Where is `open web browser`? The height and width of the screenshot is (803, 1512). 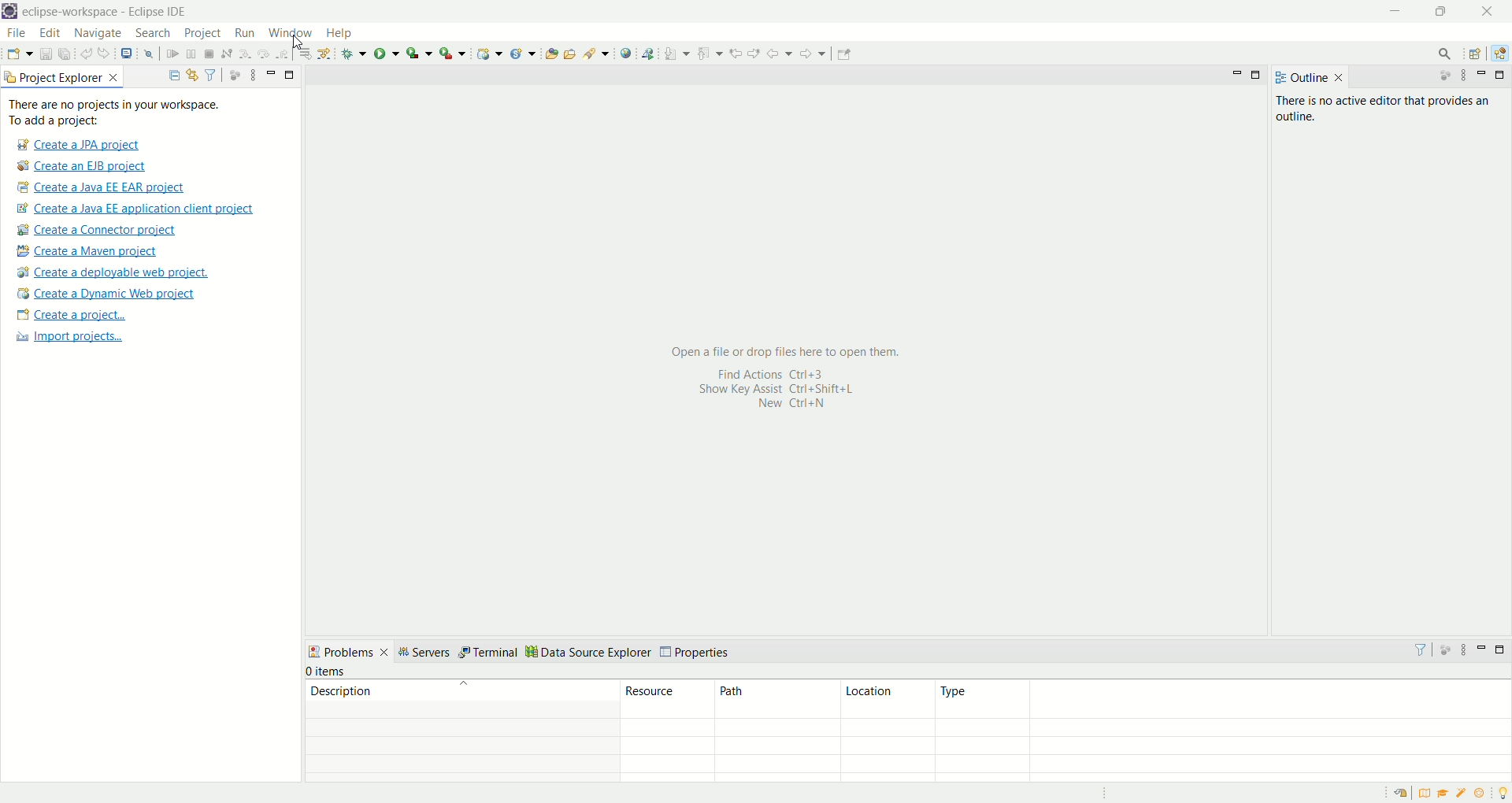
open web browser is located at coordinates (626, 54).